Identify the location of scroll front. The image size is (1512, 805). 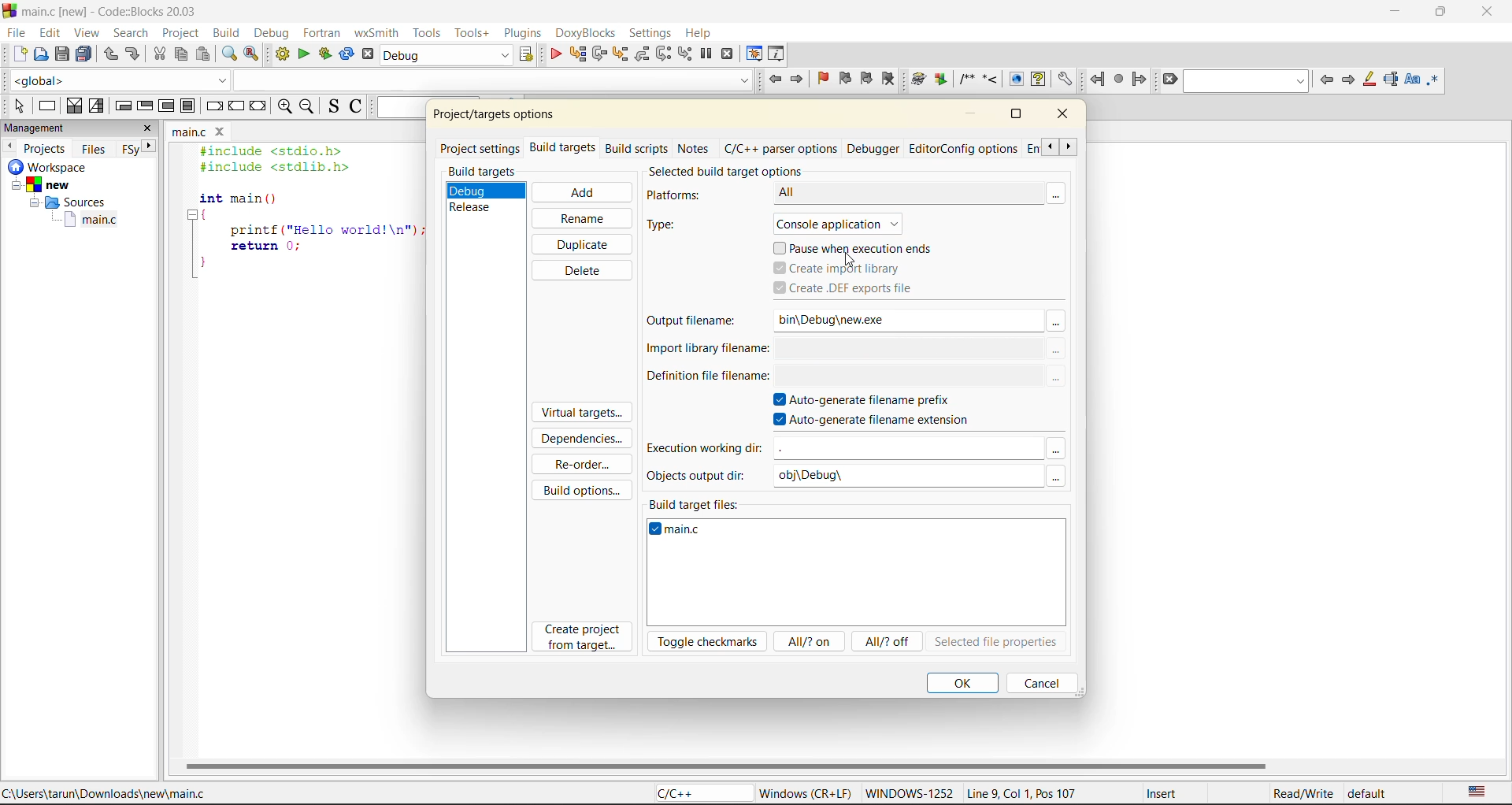
(1069, 149).